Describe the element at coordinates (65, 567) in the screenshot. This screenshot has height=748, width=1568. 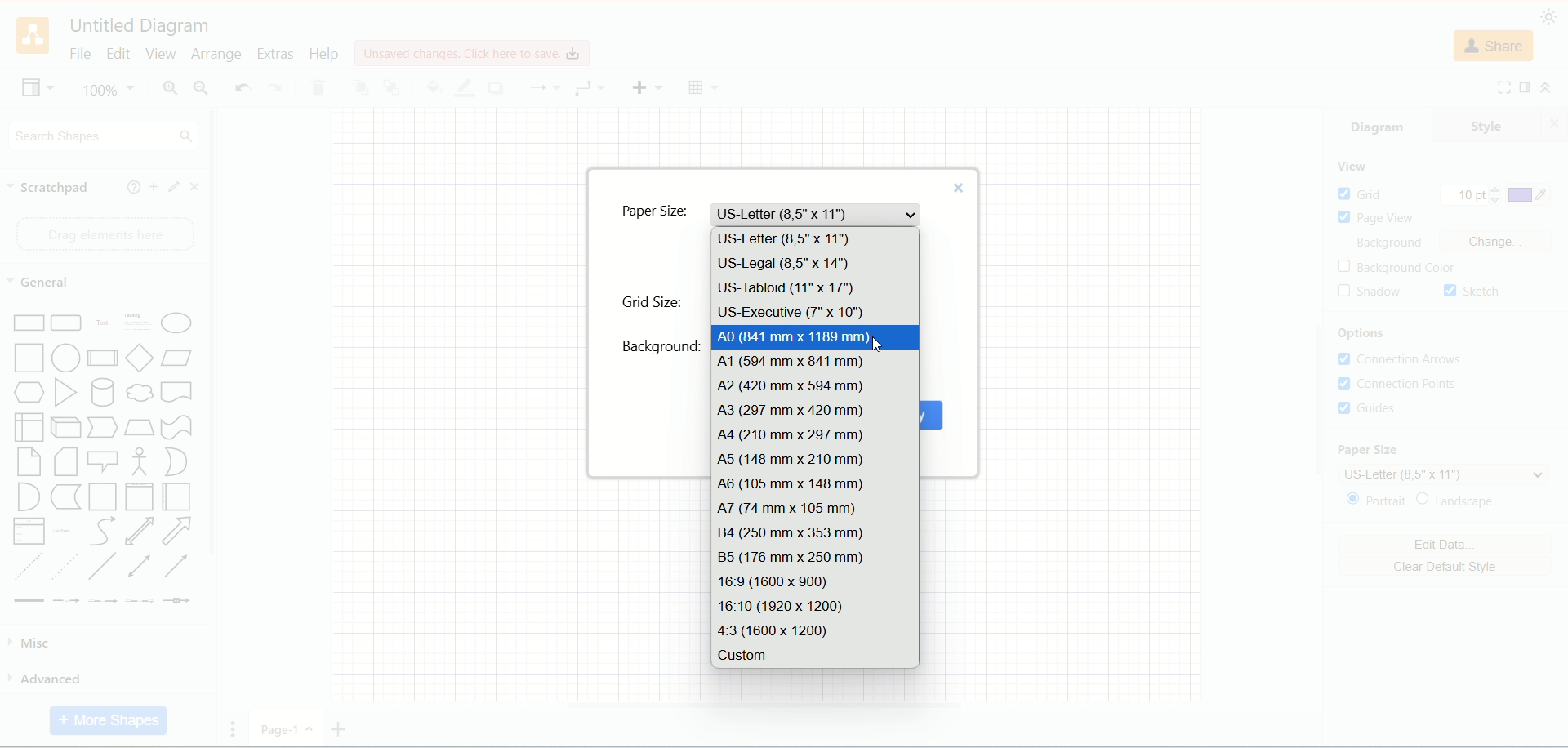
I see `Dotted Line` at that location.